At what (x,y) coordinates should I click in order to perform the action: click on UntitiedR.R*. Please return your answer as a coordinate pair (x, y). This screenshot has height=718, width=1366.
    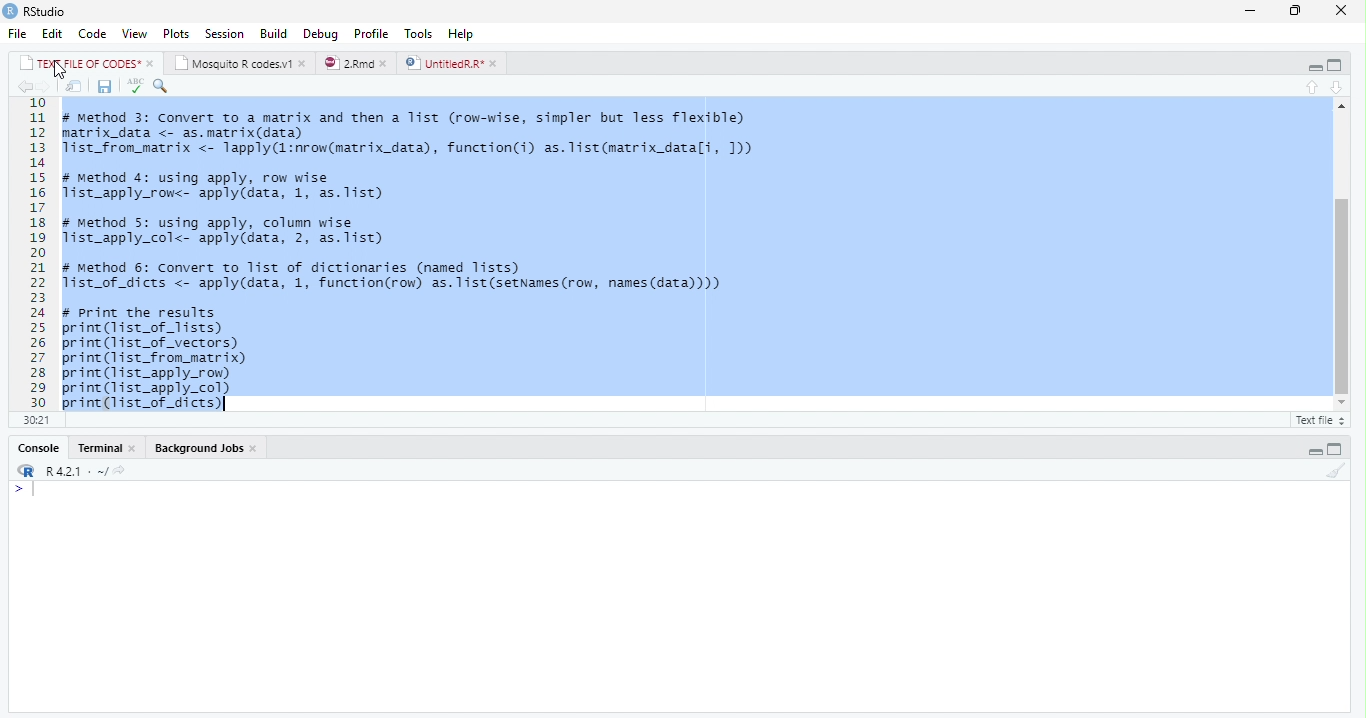
    Looking at the image, I should click on (454, 63).